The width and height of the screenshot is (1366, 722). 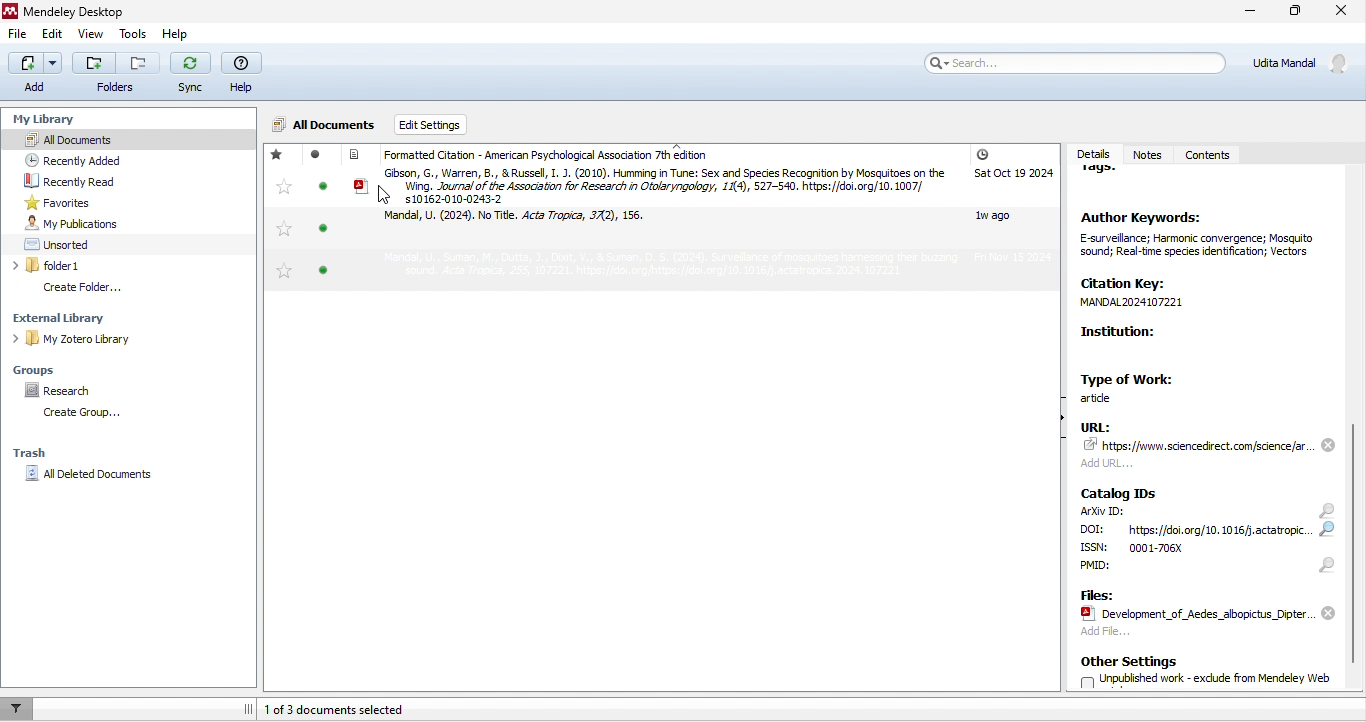 I want to click on help, so click(x=242, y=74).